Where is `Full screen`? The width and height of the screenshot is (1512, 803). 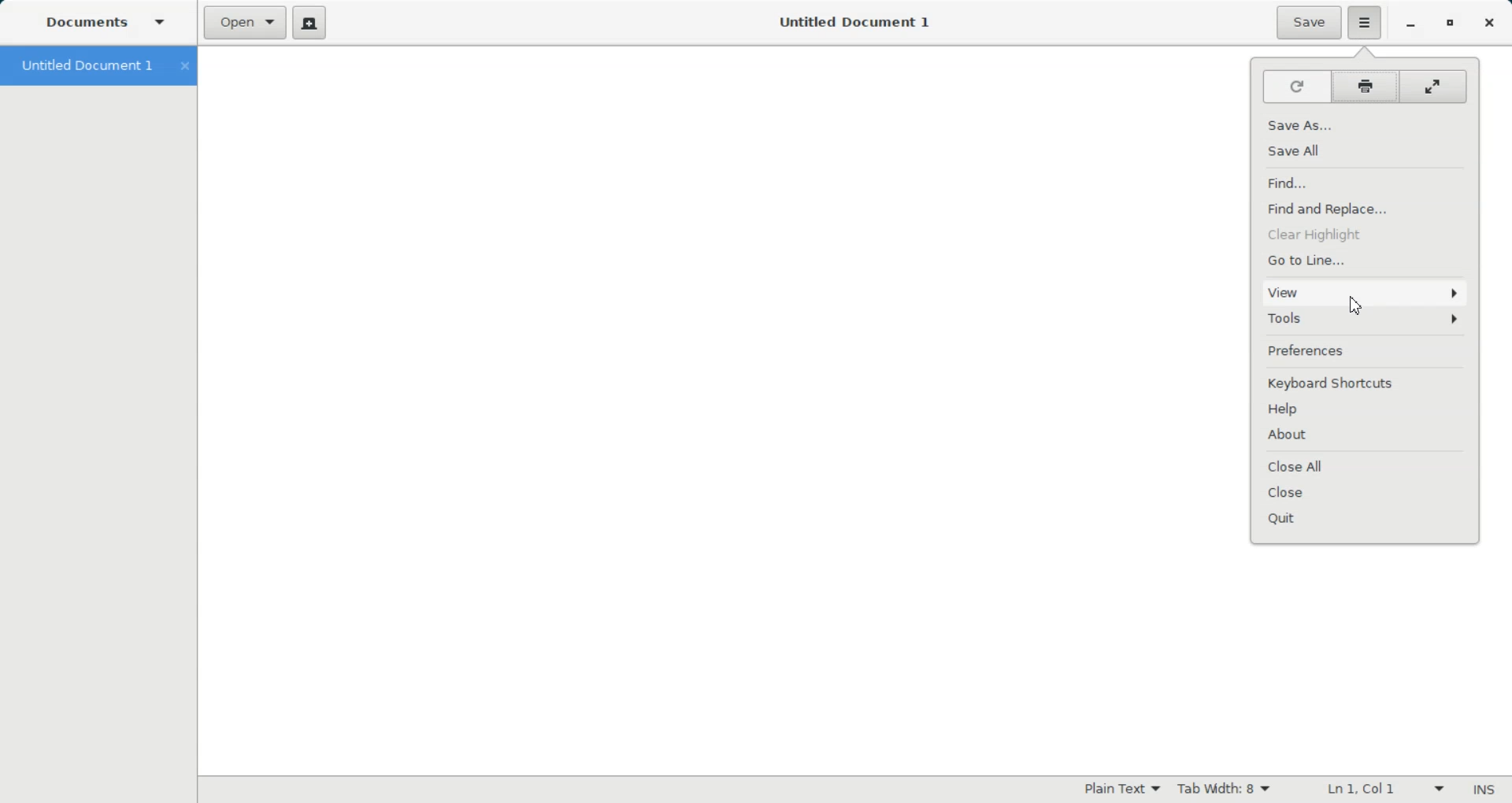
Full screen is located at coordinates (1436, 87).